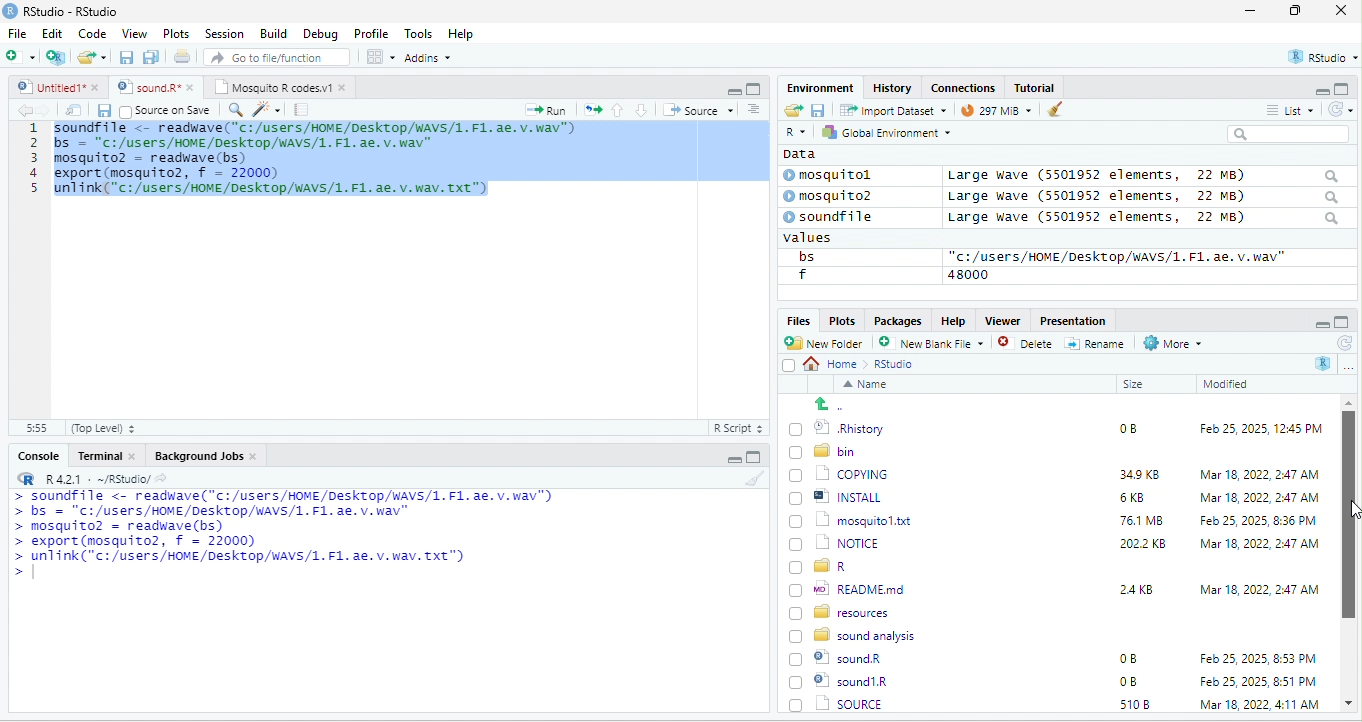  Describe the element at coordinates (153, 58) in the screenshot. I see `save as` at that location.